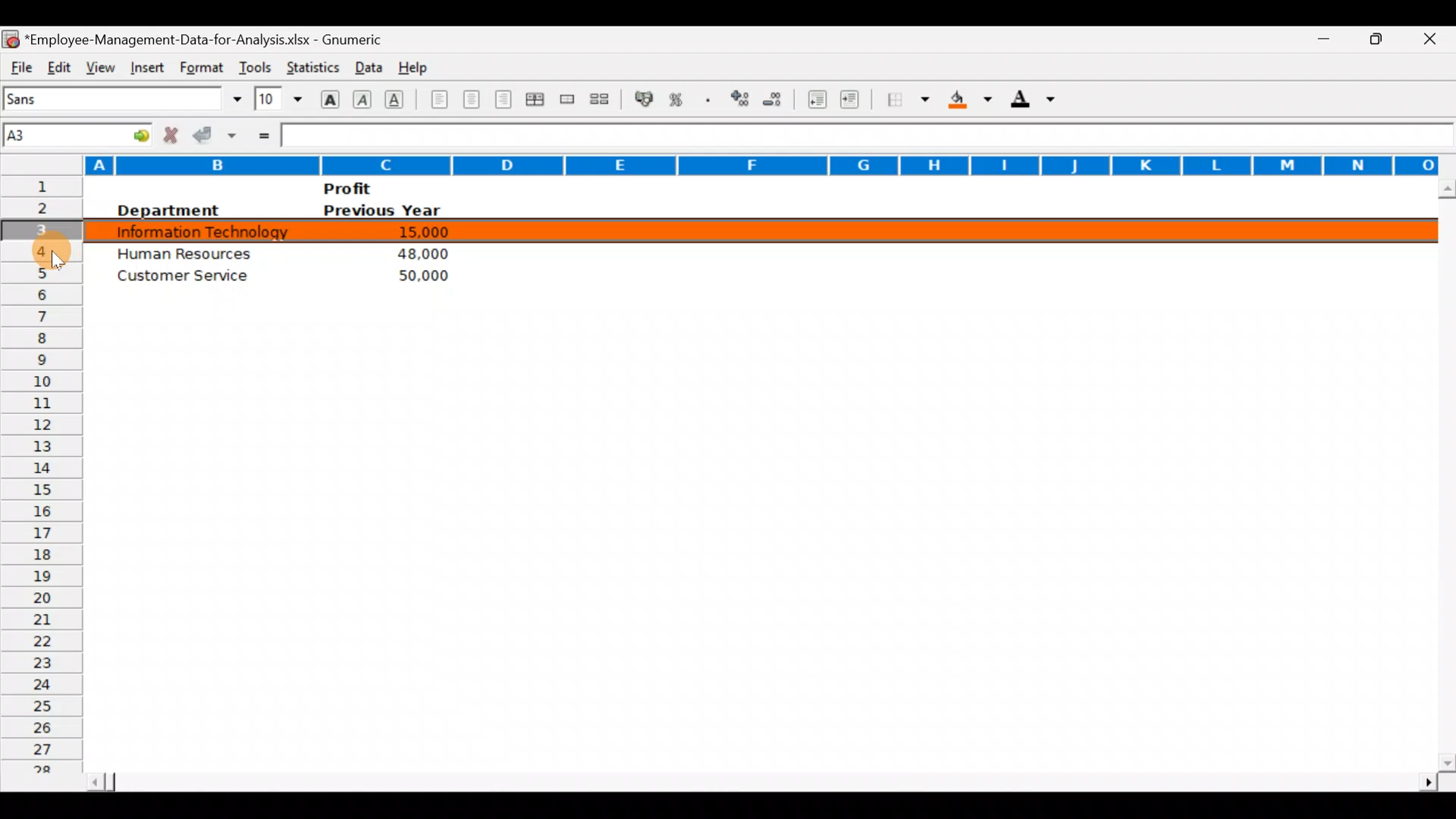 The height and width of the screenshot is (819, 1456). What do you see at coordinates (472, 102) in the screenshot?
I see `Centre horizontally` at bounding box center [472, 102].